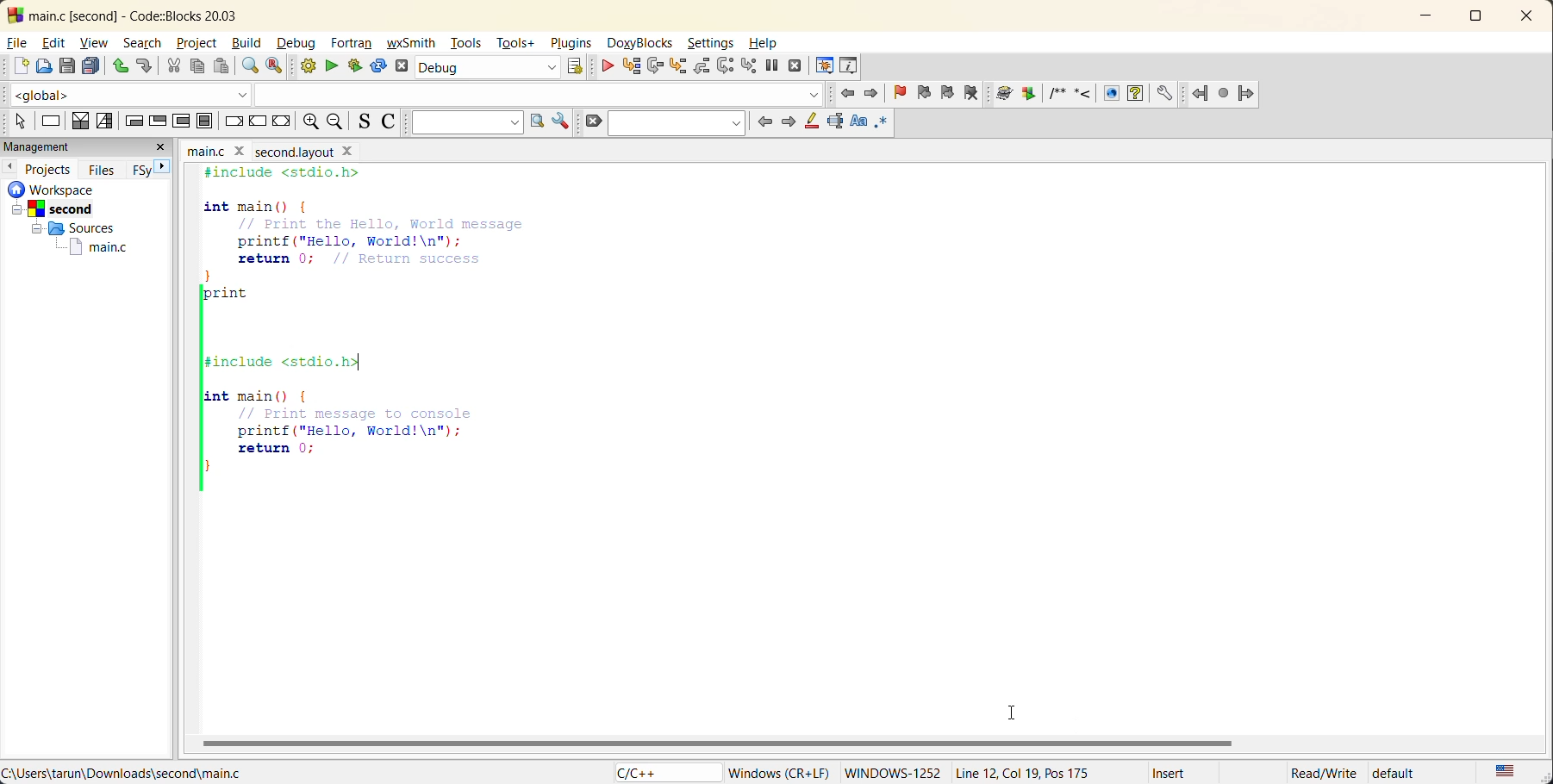  Describe the element at coordinates (199, 44) in the screenshot. I see `project` at that location.